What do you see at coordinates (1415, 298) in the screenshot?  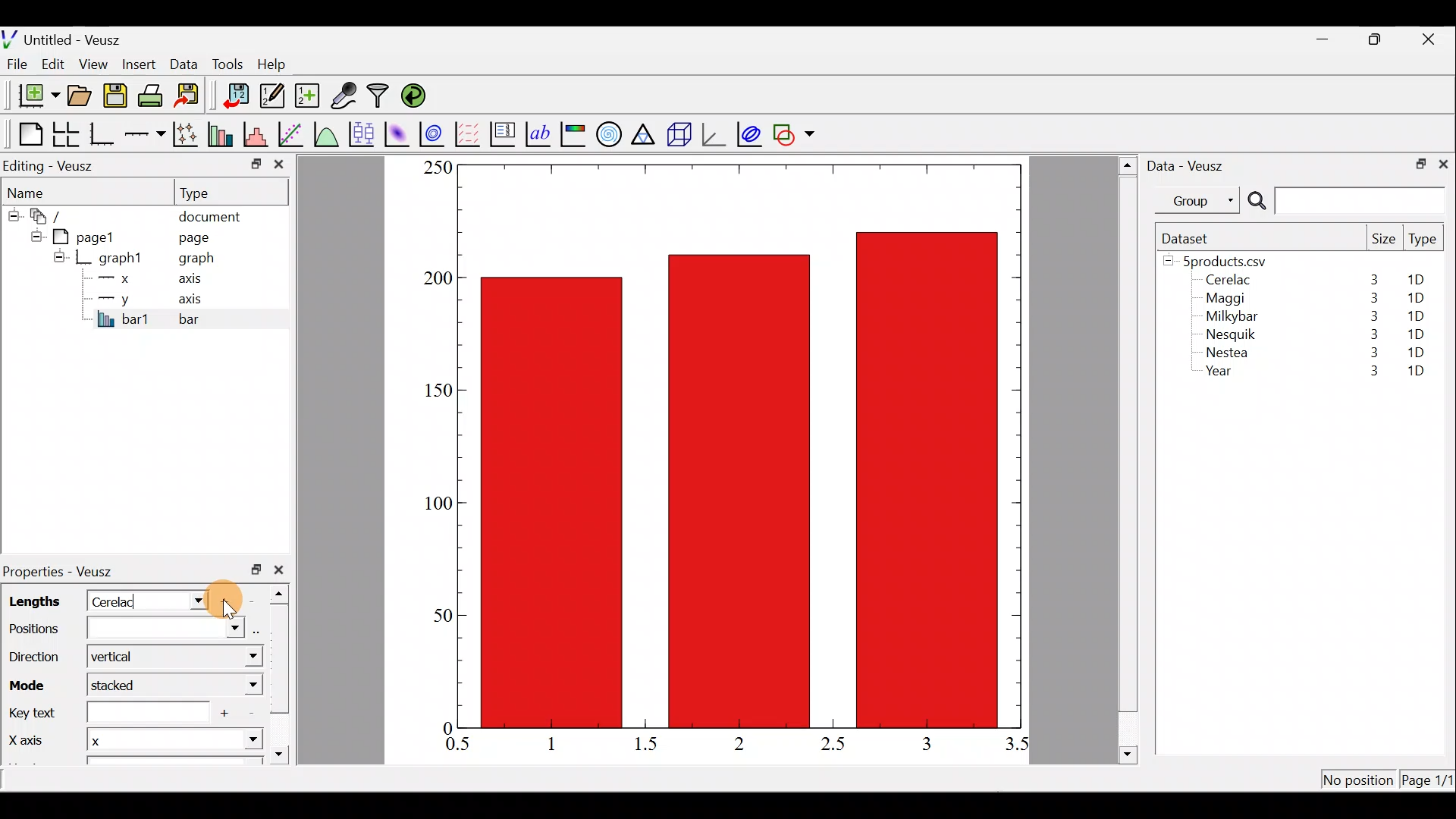 I see `1D` at bounding box center [1415, 298].